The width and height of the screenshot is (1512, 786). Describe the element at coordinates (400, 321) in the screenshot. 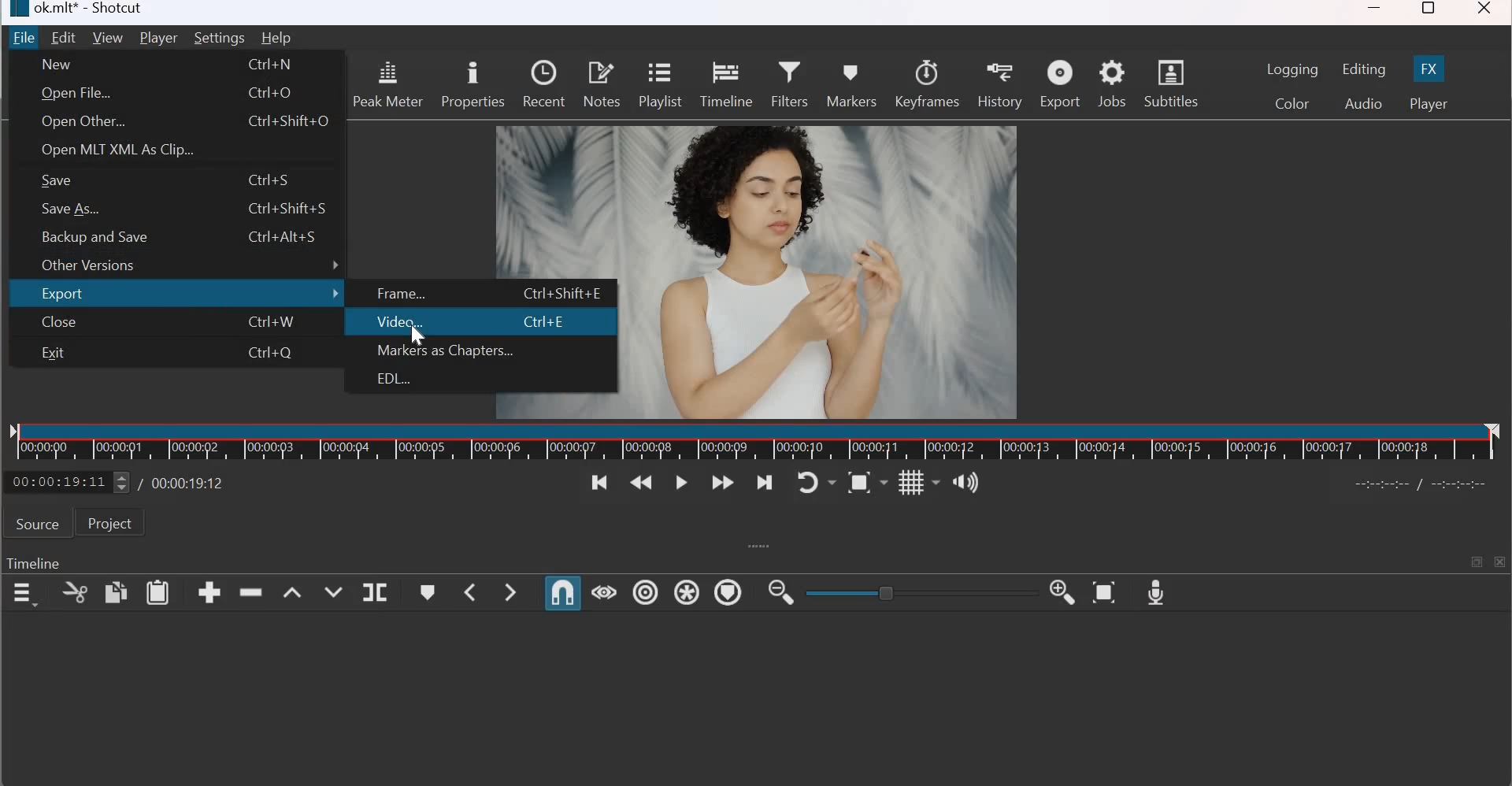

I see `Video` at that location.